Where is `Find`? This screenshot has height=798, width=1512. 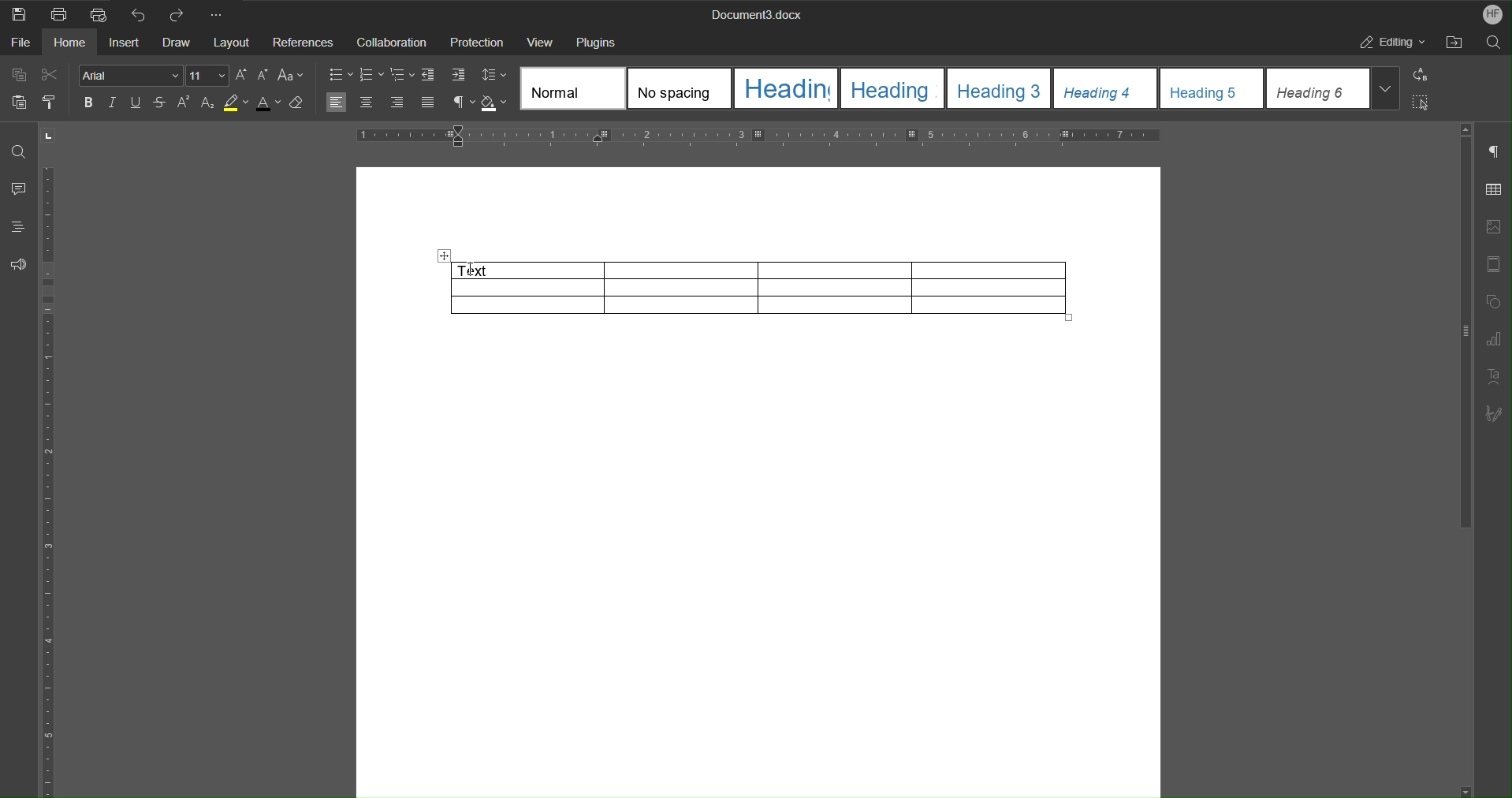
Find is located at coordinates (16, 151).